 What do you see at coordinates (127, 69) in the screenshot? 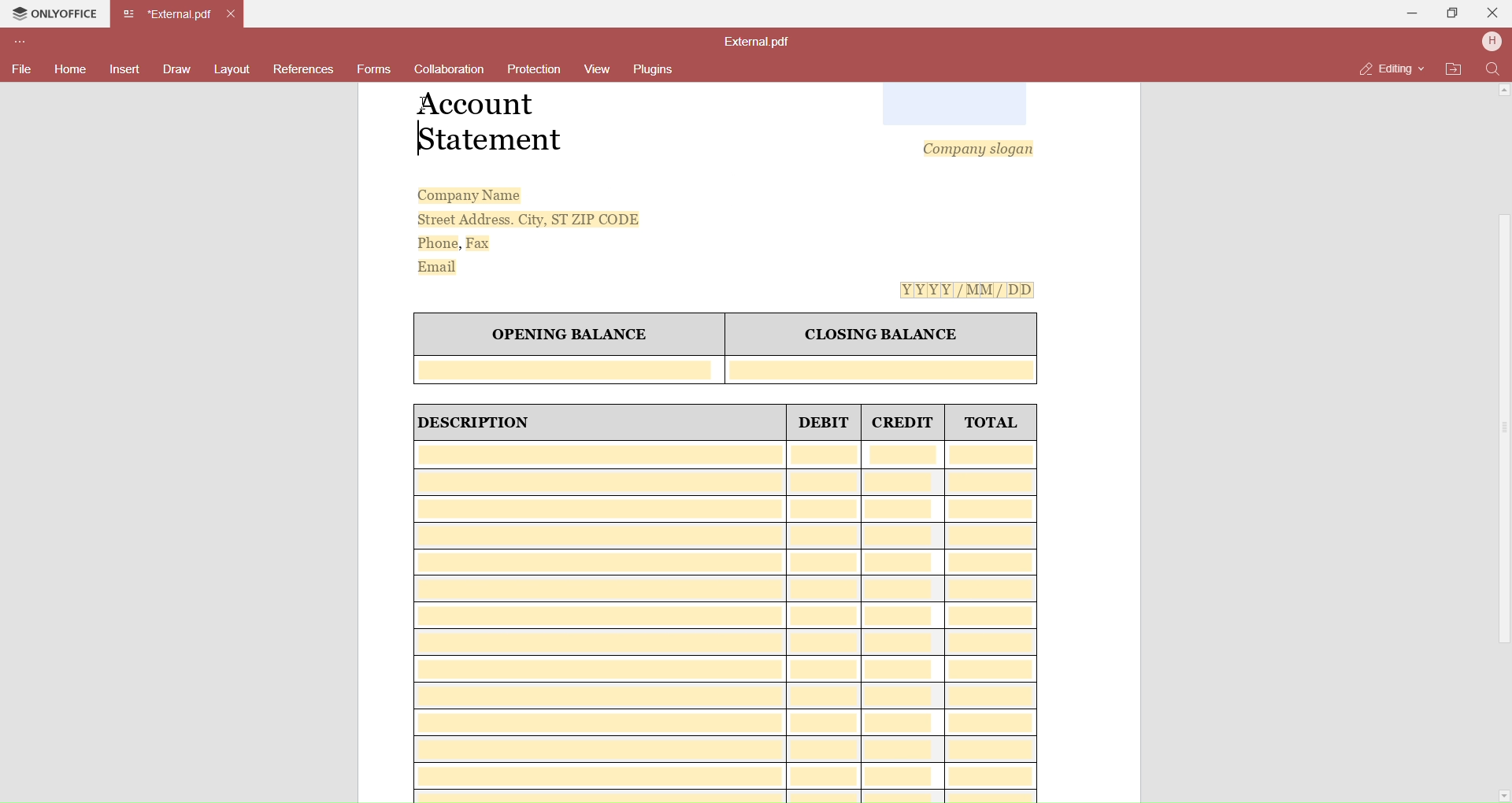
I see `Insert` at bounding box center [127, 69].